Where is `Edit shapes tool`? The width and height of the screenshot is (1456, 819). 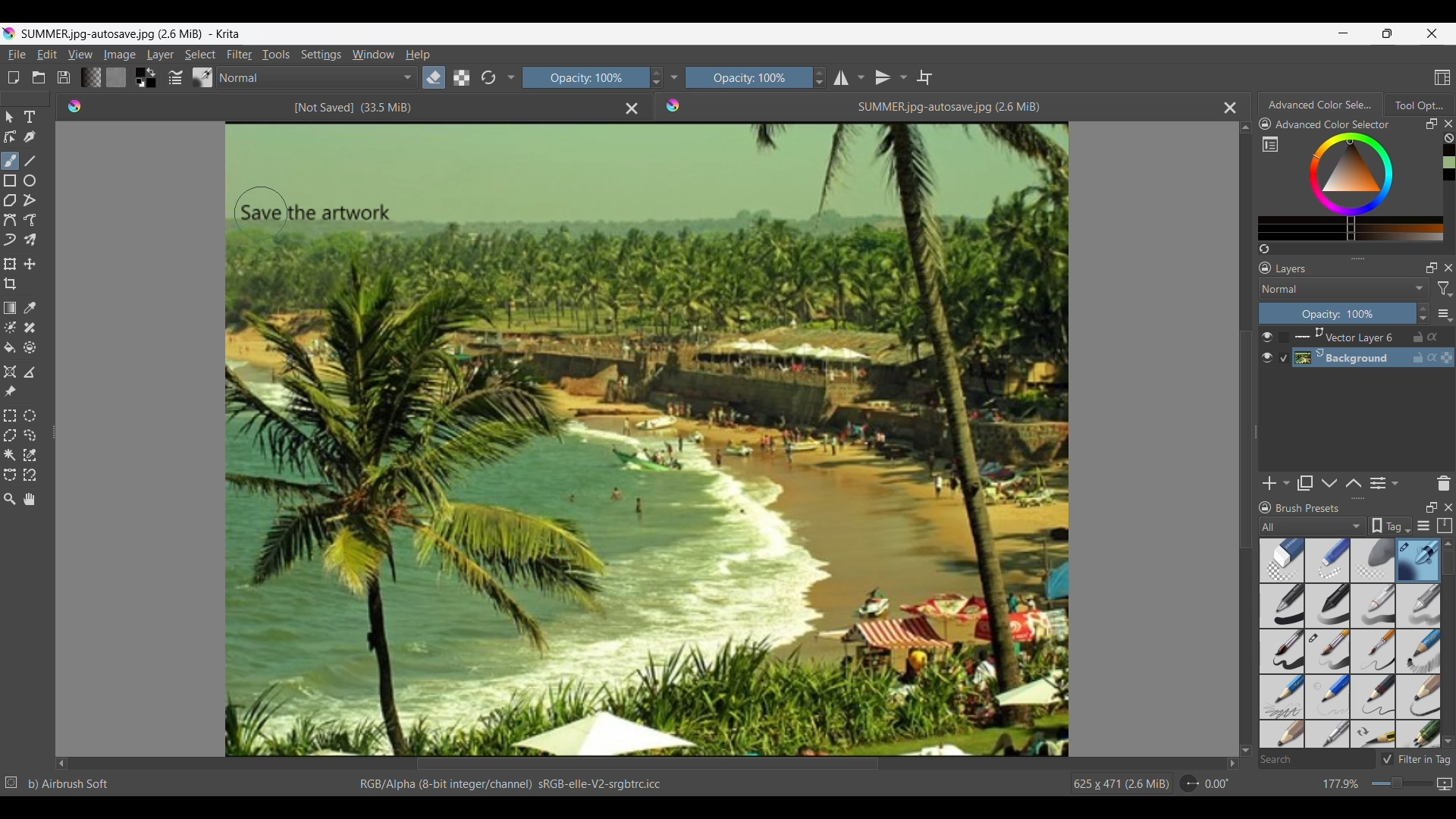
Edit shapes tool is located at coordinates (11, 136).